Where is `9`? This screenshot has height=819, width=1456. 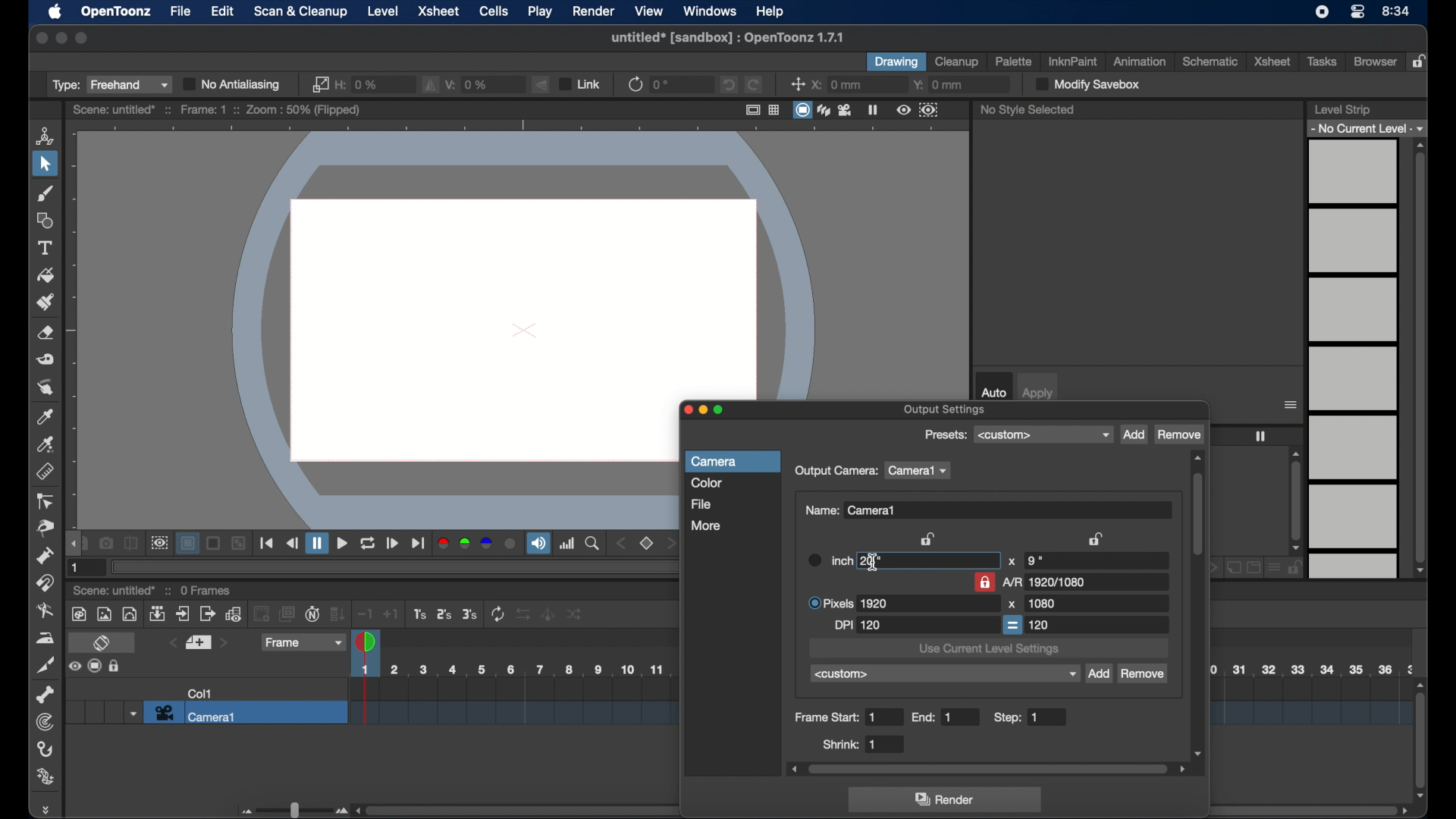 9 is located at coordinates (1034, 560).